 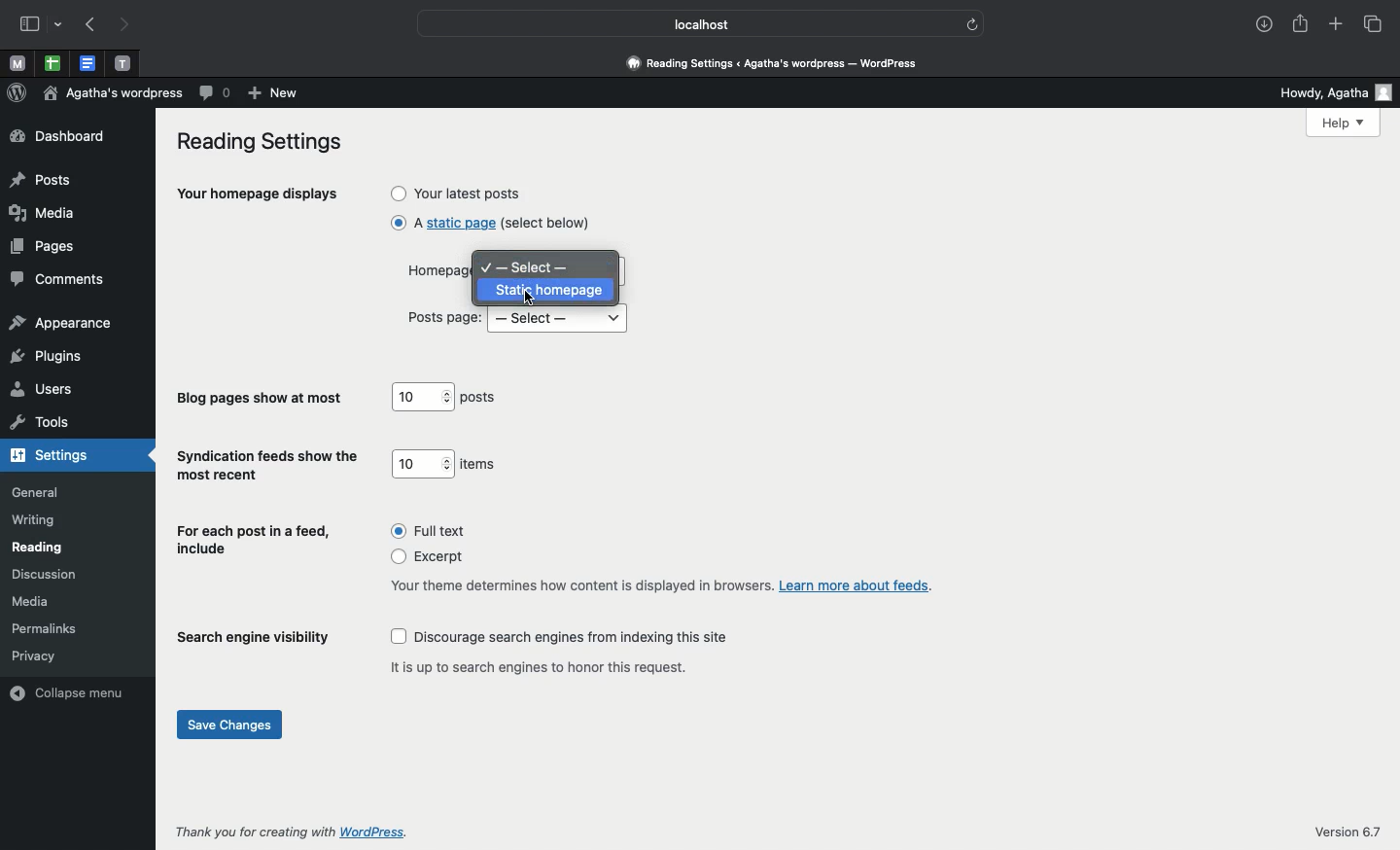 What do you see at coordinates (1326, 91) in the screenshot?
I see `Howdy user` at bounding box center [1326, 91].